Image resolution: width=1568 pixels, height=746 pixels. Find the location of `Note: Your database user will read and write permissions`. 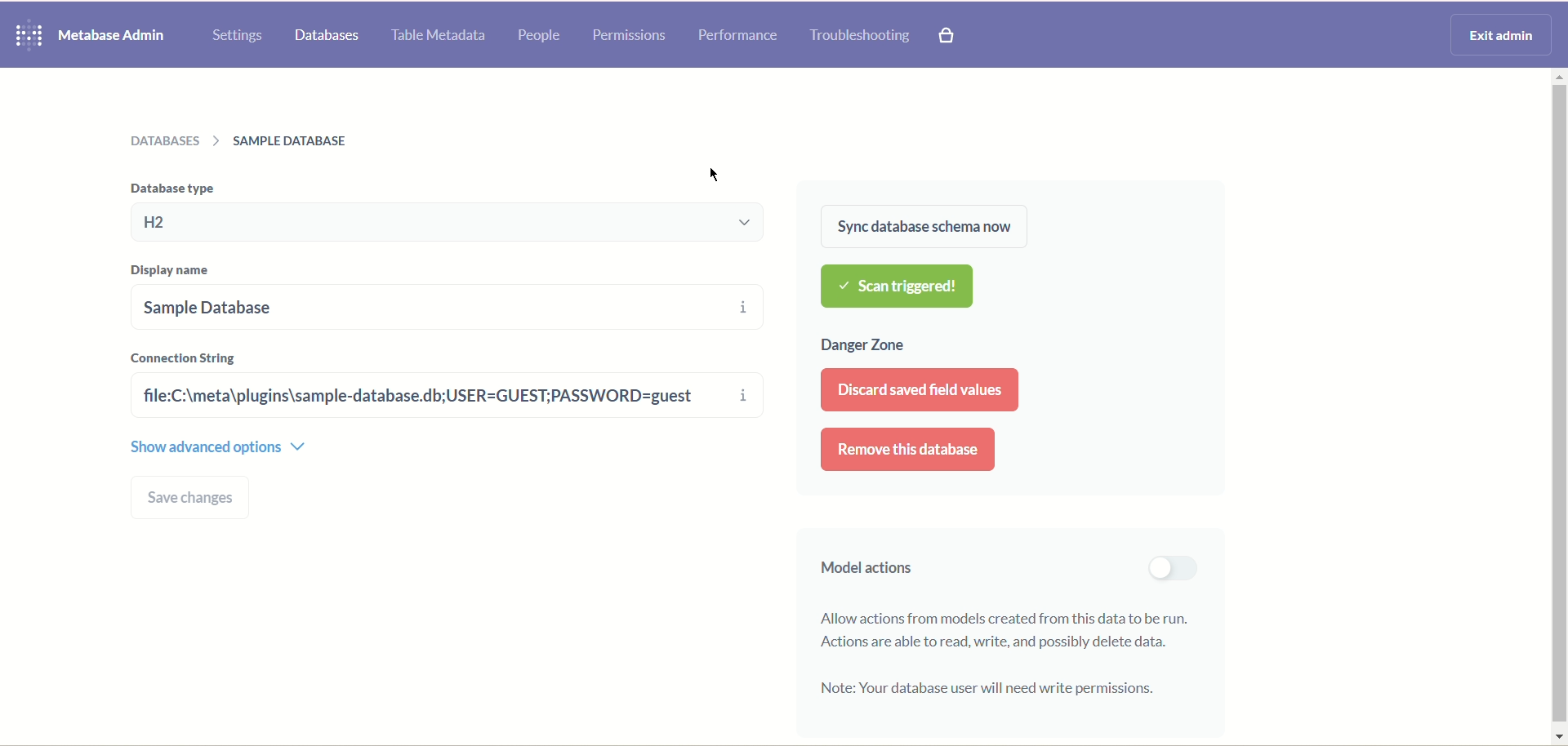

Note: Your database user will read and write permissions is located at coordinates (988, 689).